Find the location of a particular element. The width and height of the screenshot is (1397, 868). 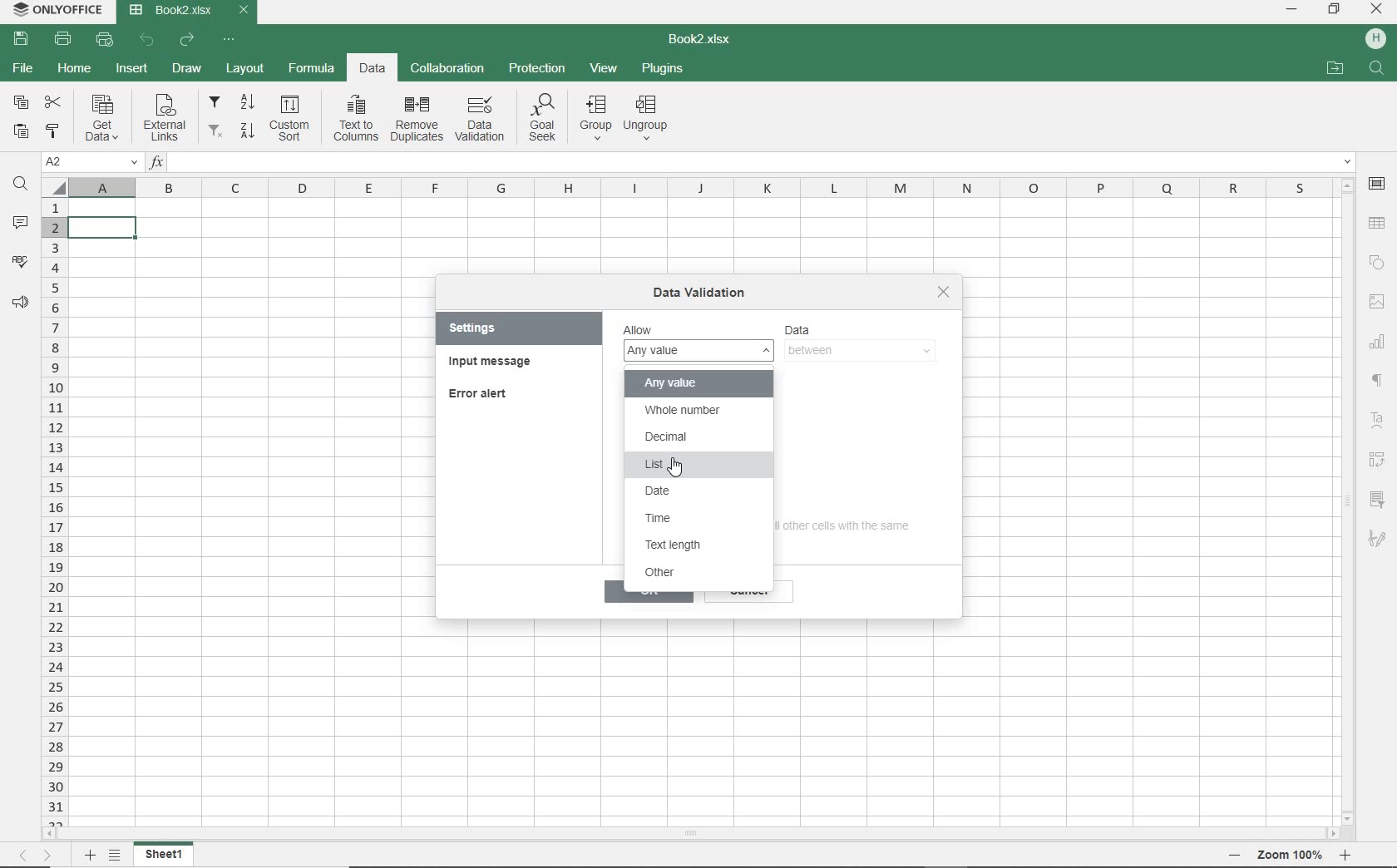

RESTORE DOWN is located at coordinates (1336, 11).